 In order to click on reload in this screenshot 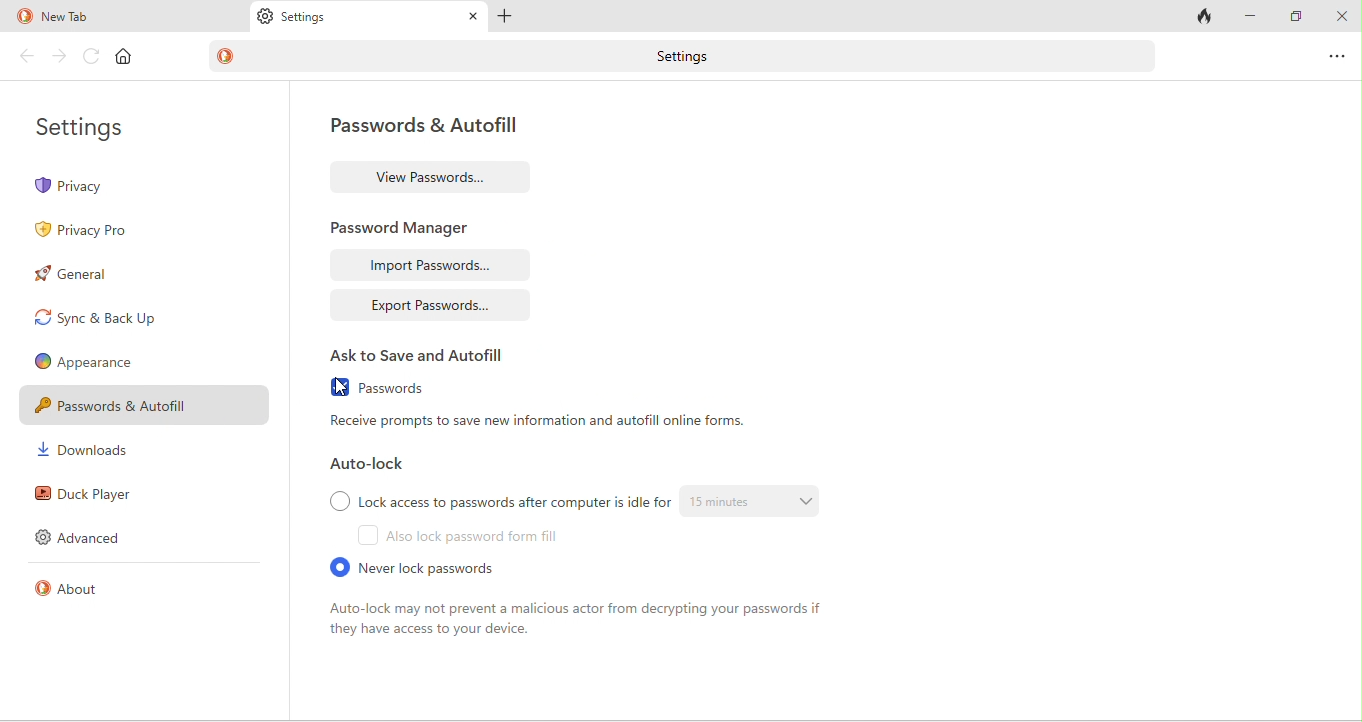, I will do `click(90, 55)`.